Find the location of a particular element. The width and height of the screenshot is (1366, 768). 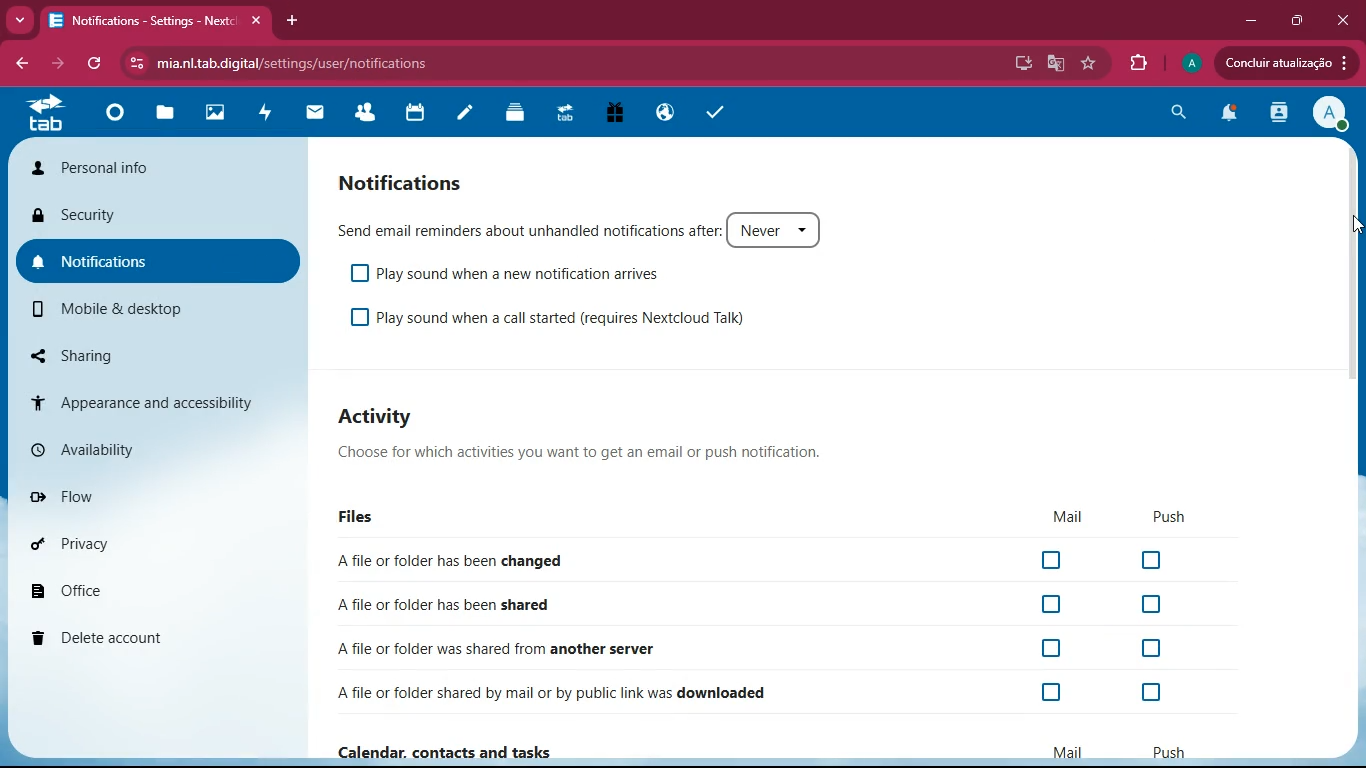

personal info is located at coordinates (126, 168).